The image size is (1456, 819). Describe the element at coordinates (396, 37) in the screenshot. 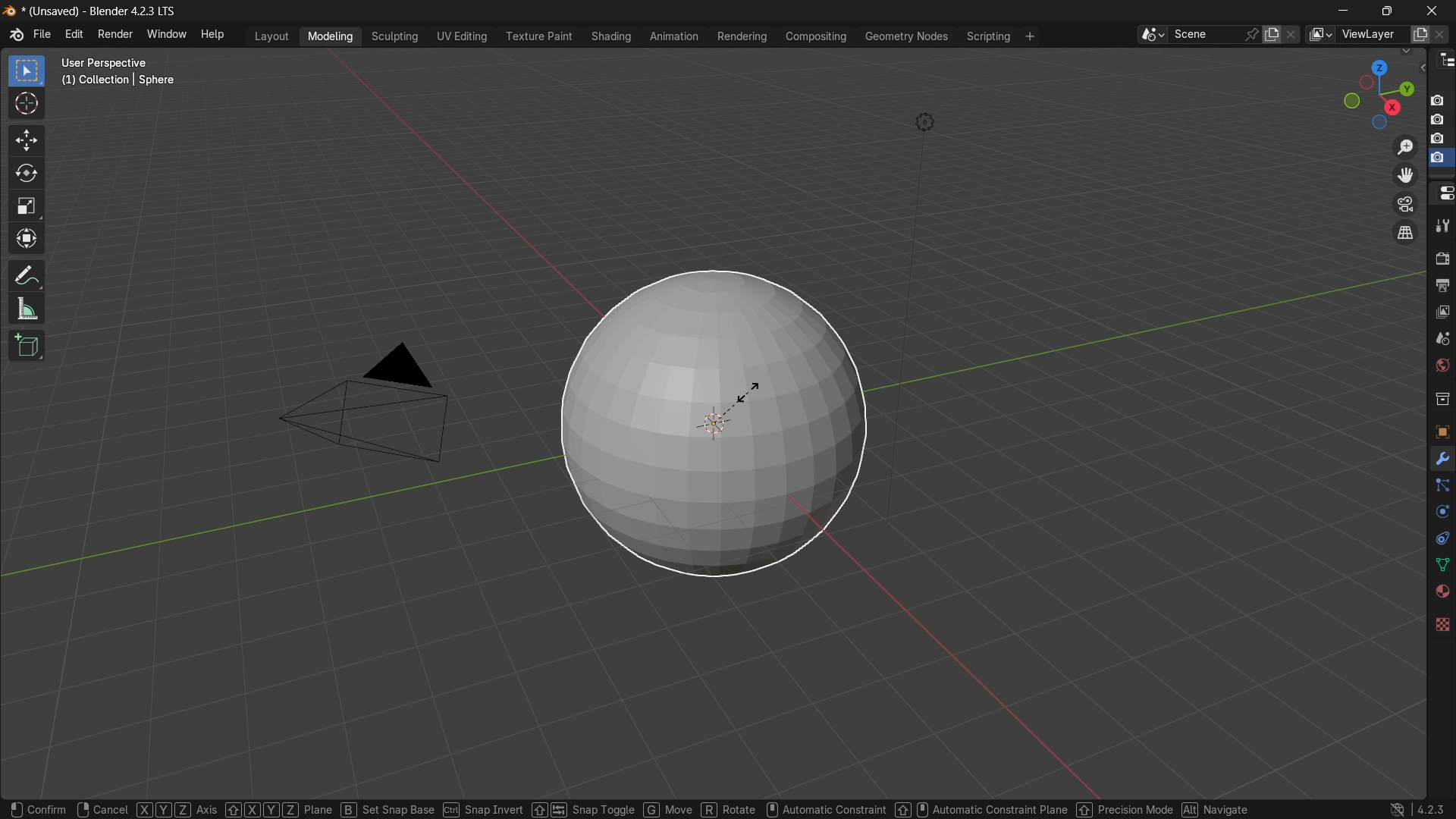

I see `sculpting menu` at that location.